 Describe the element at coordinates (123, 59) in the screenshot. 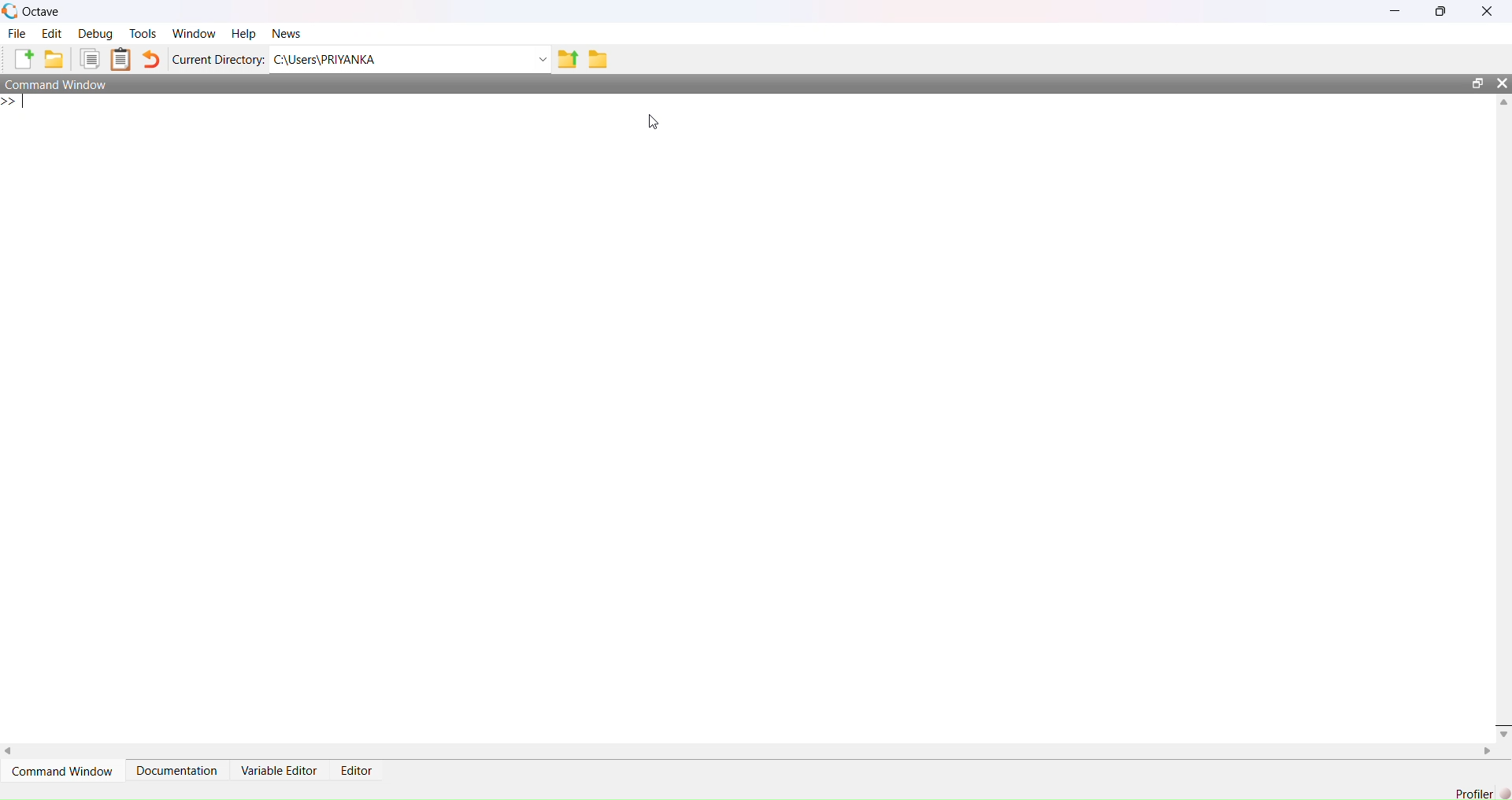

I see `Clipboard` at that location.